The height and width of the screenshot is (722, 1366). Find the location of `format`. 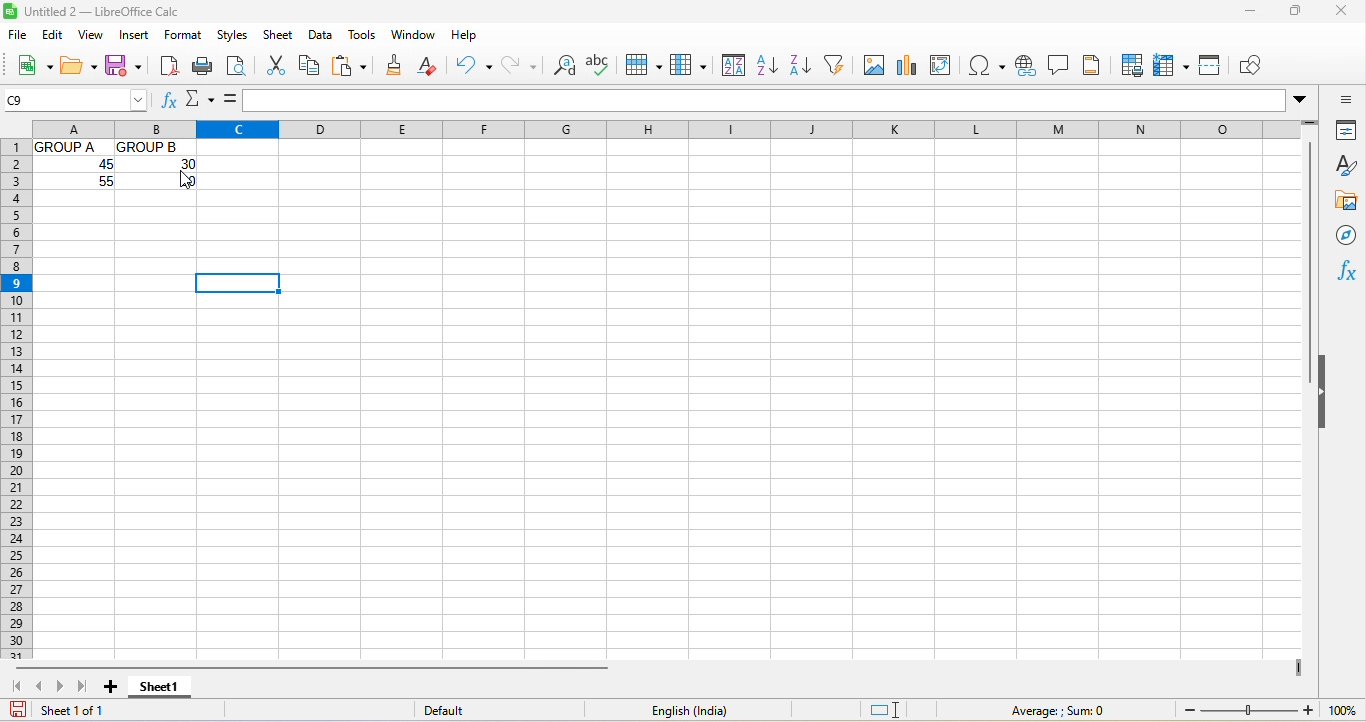

format is located at coordinates (185, 36).